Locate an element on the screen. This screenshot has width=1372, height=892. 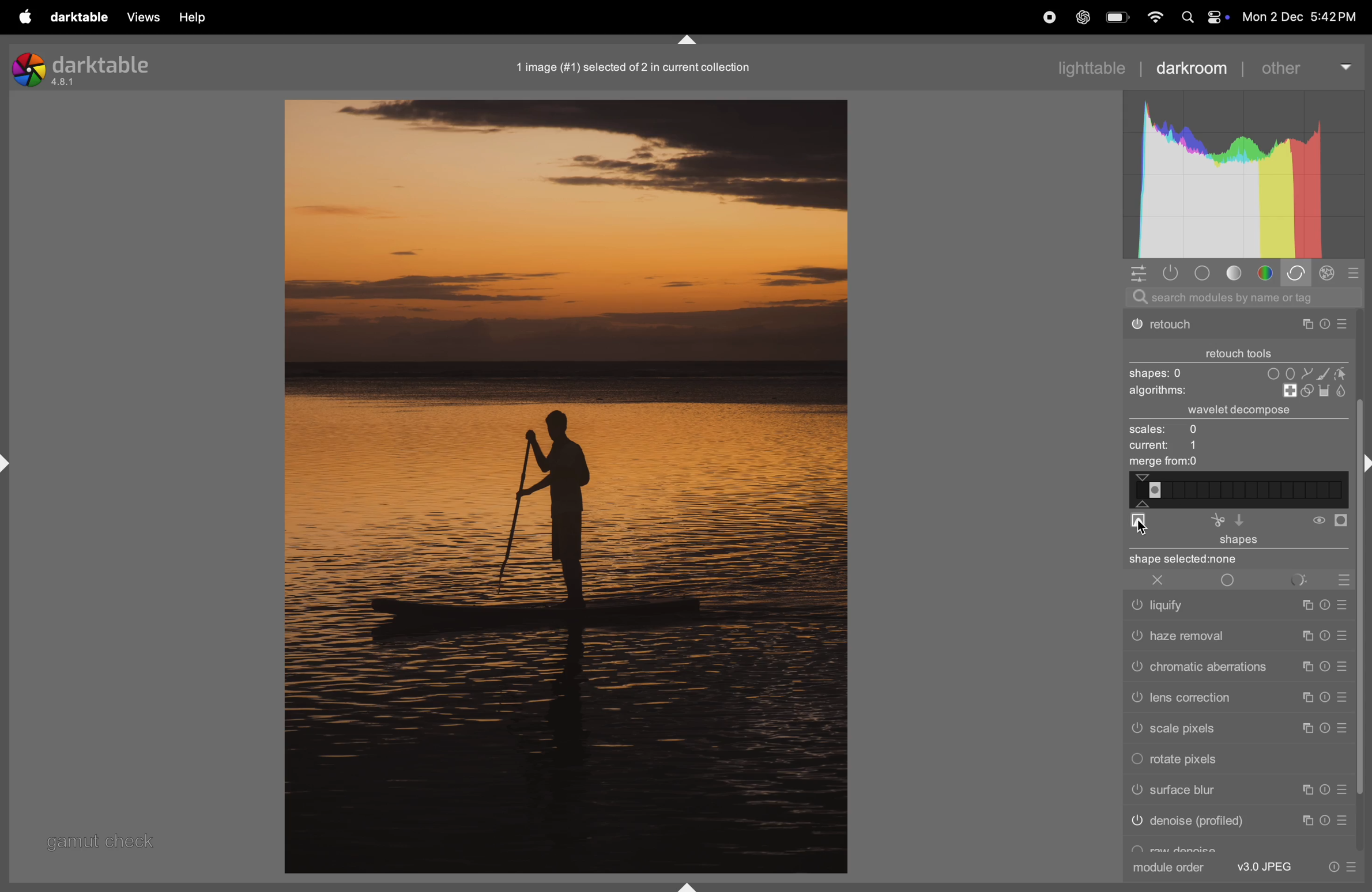
wave let decompose is located at coordinates (1245, 411).